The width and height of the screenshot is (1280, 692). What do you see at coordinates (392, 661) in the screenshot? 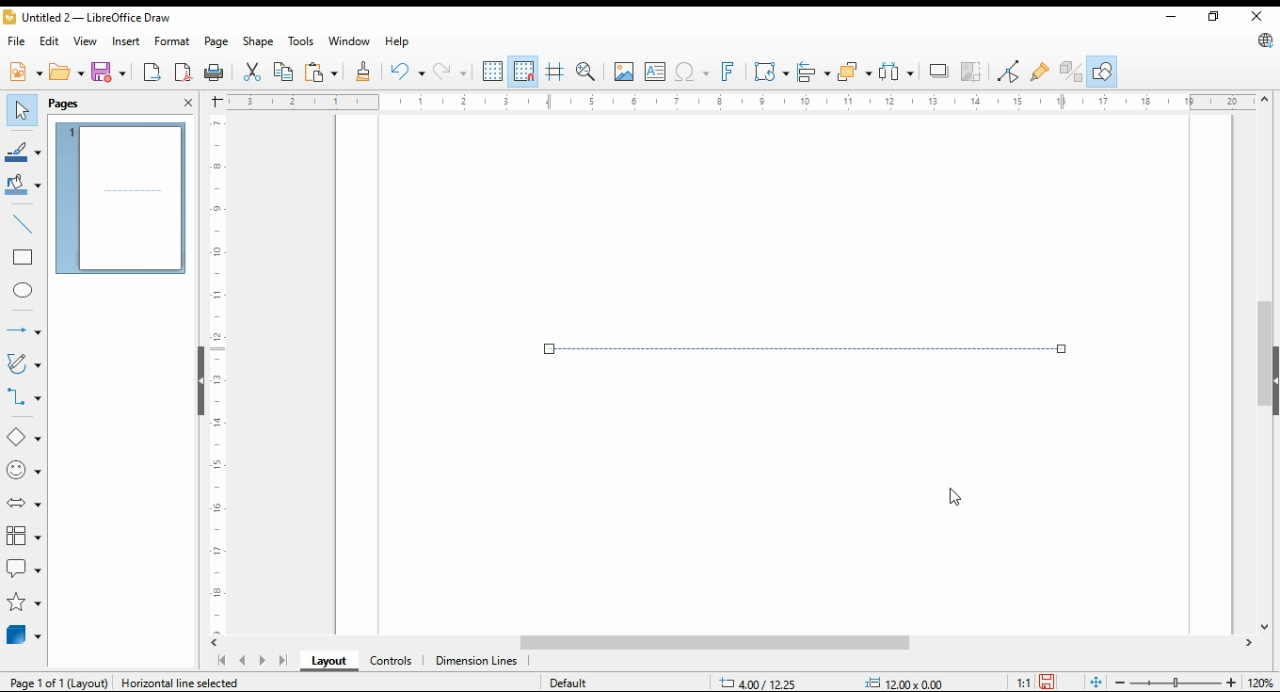
I see `ontrols` at bounding box center [392, 661].